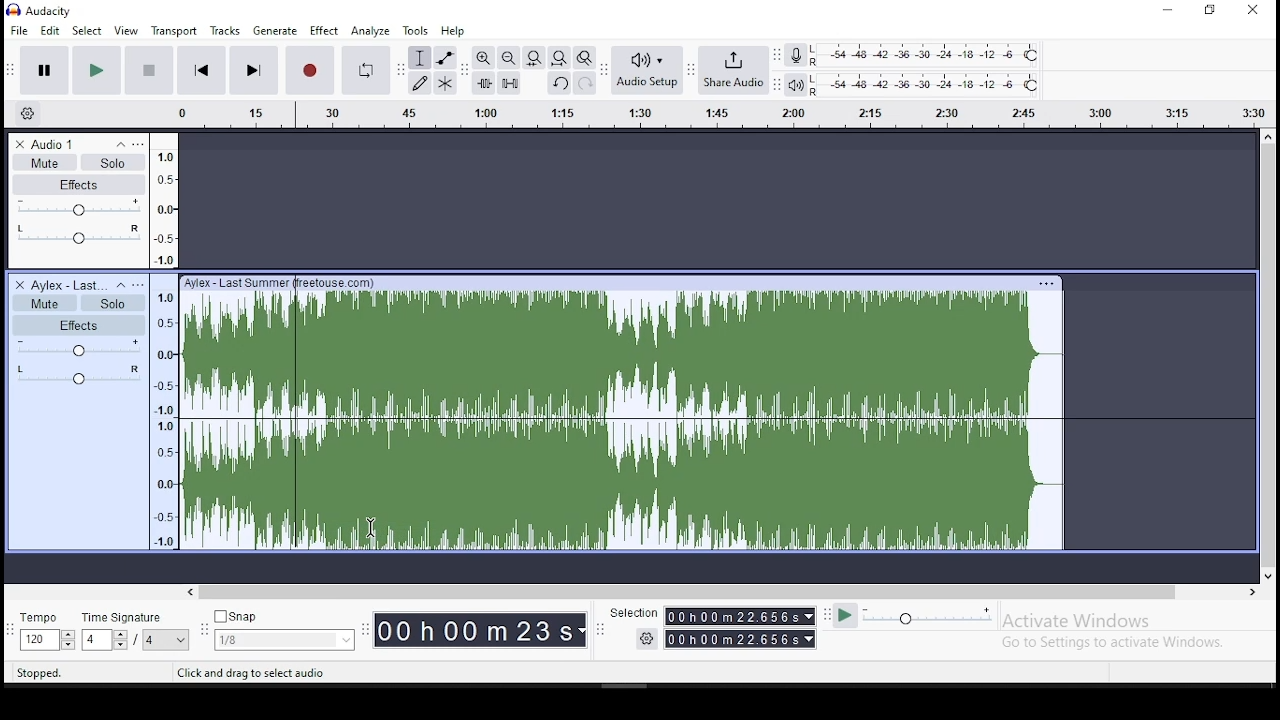 This screenshot has height=720, width=1280. I want to click on play, so click(96, 71).